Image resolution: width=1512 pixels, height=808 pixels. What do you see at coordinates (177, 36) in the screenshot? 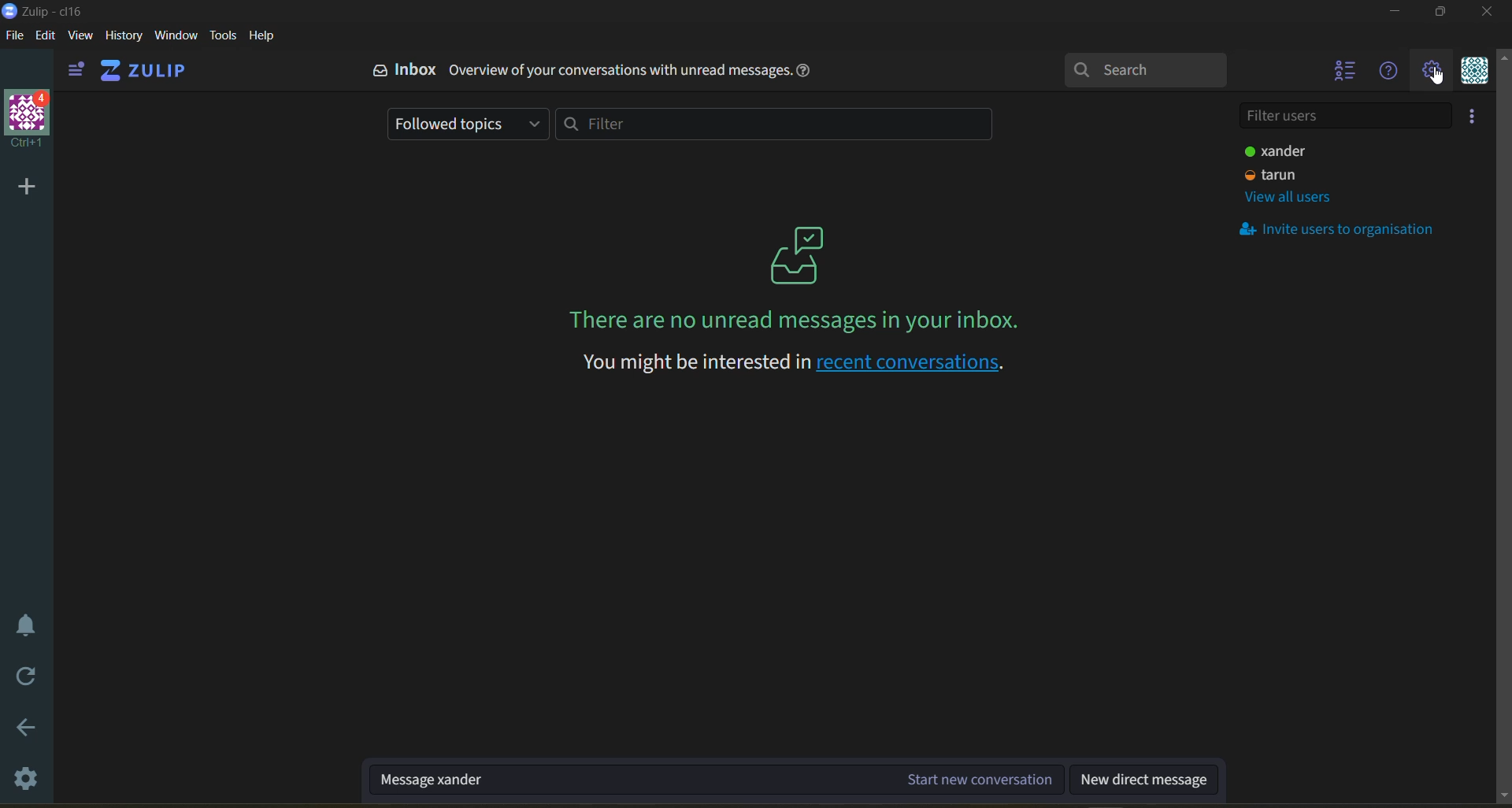
I see `window` at bounding box center [177, 36].